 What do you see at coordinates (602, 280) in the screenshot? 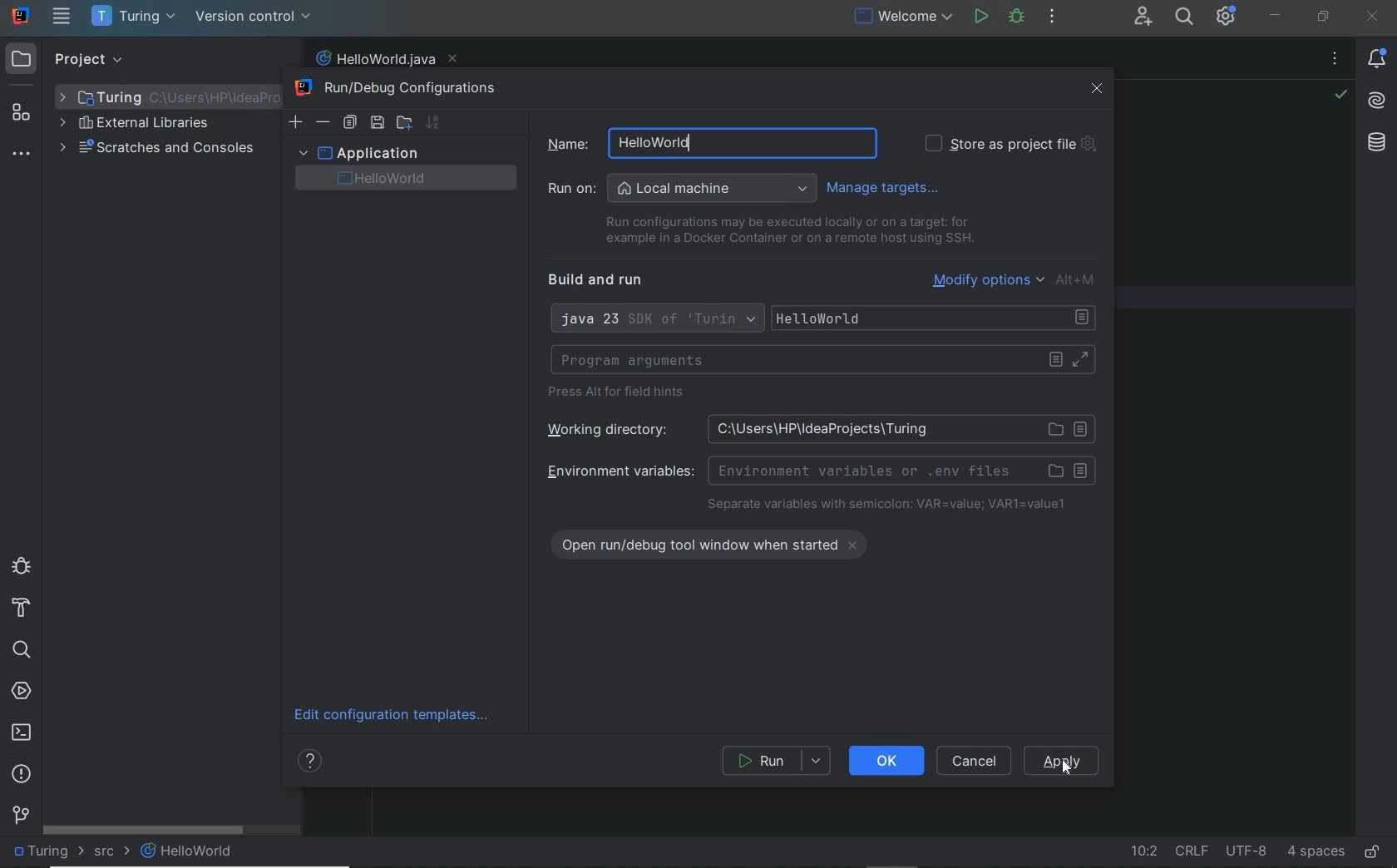
I see `Build and Run` at bounding box center [602, 280].